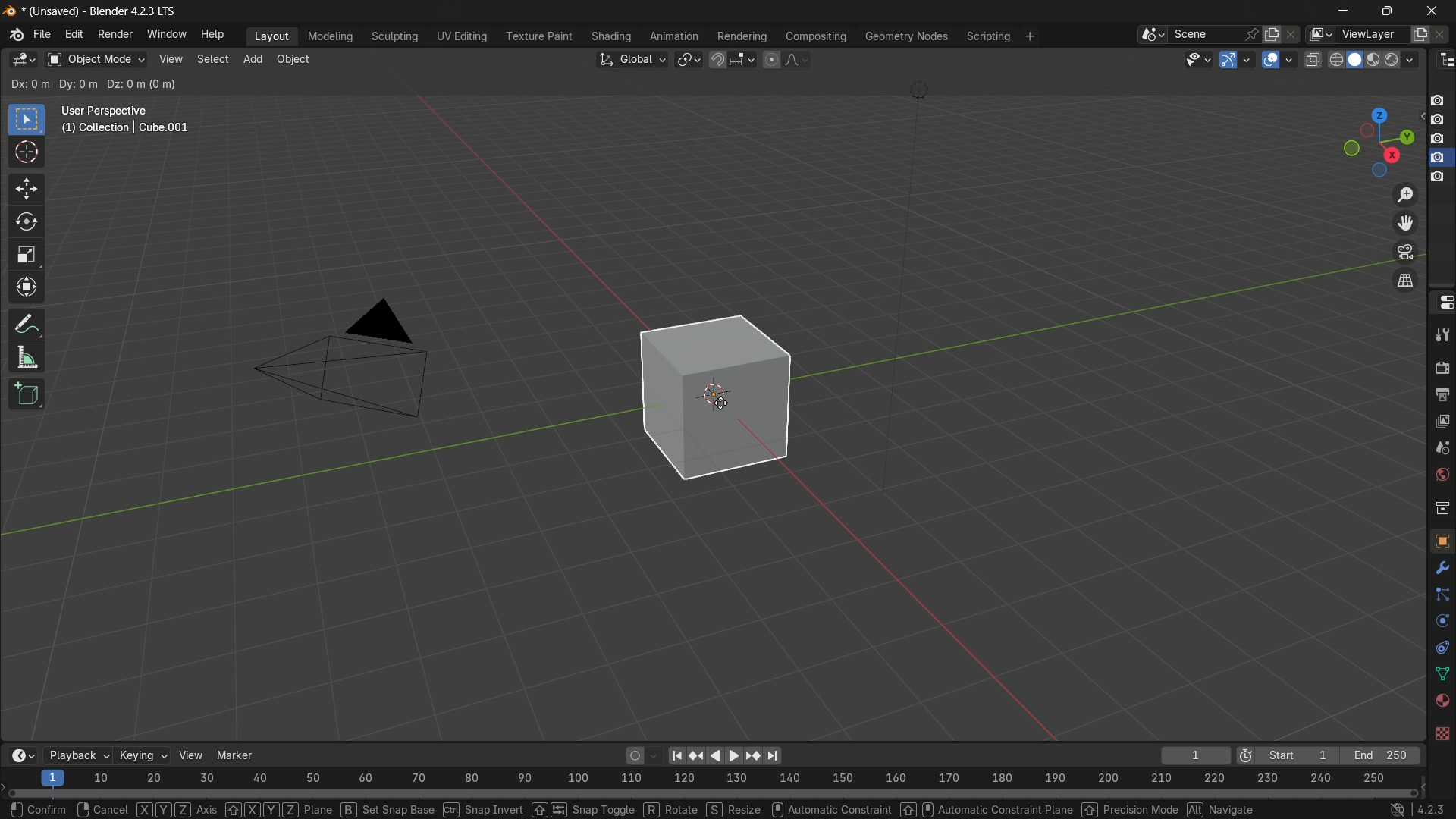  Describe the element at coordinates (1389, 84) in the screenshot. I see `options menu` at that location.